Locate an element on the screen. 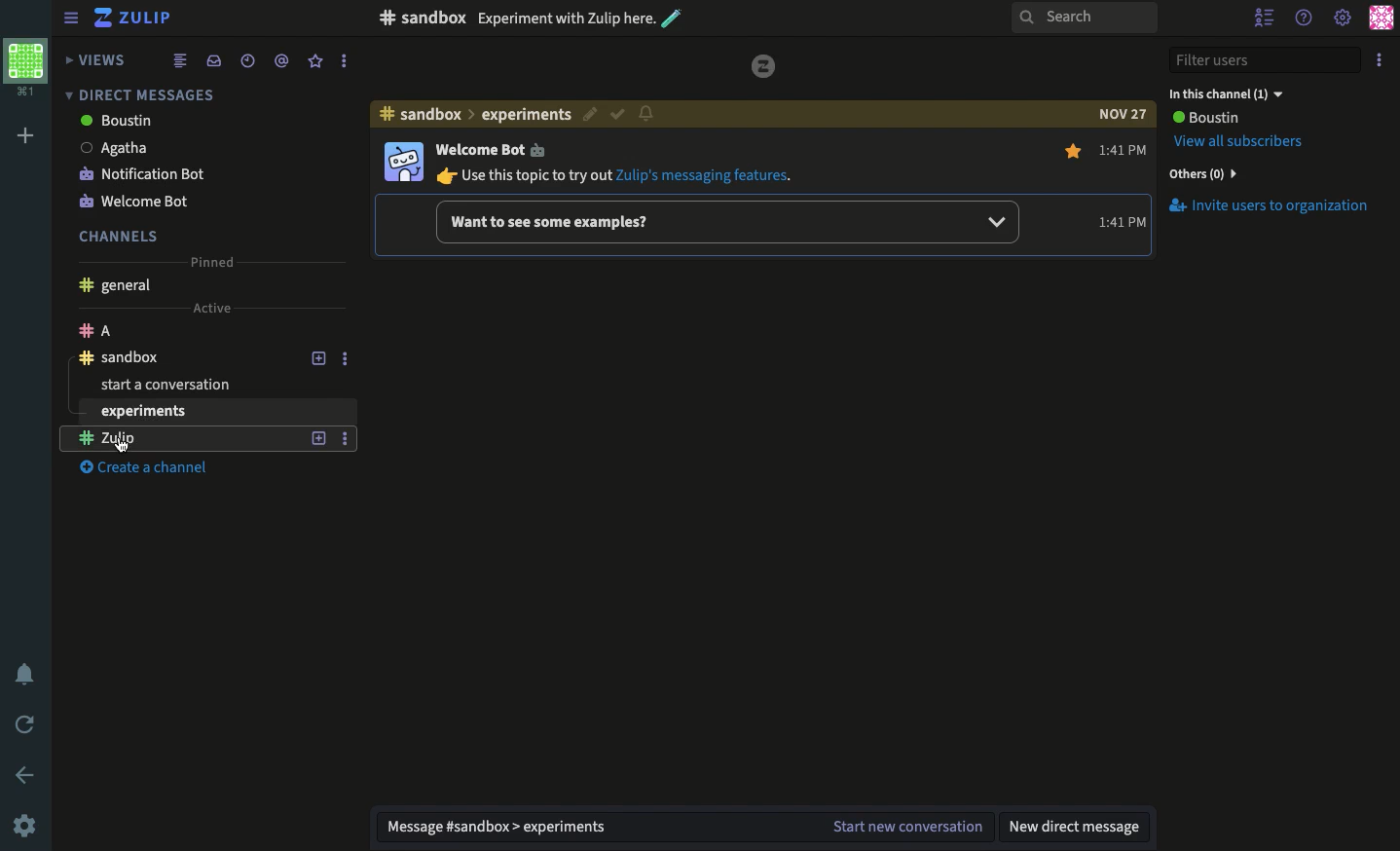 Image resolution: width=1400 pixels, height=851 pixels. Help is located at coordinates (1305, 15).